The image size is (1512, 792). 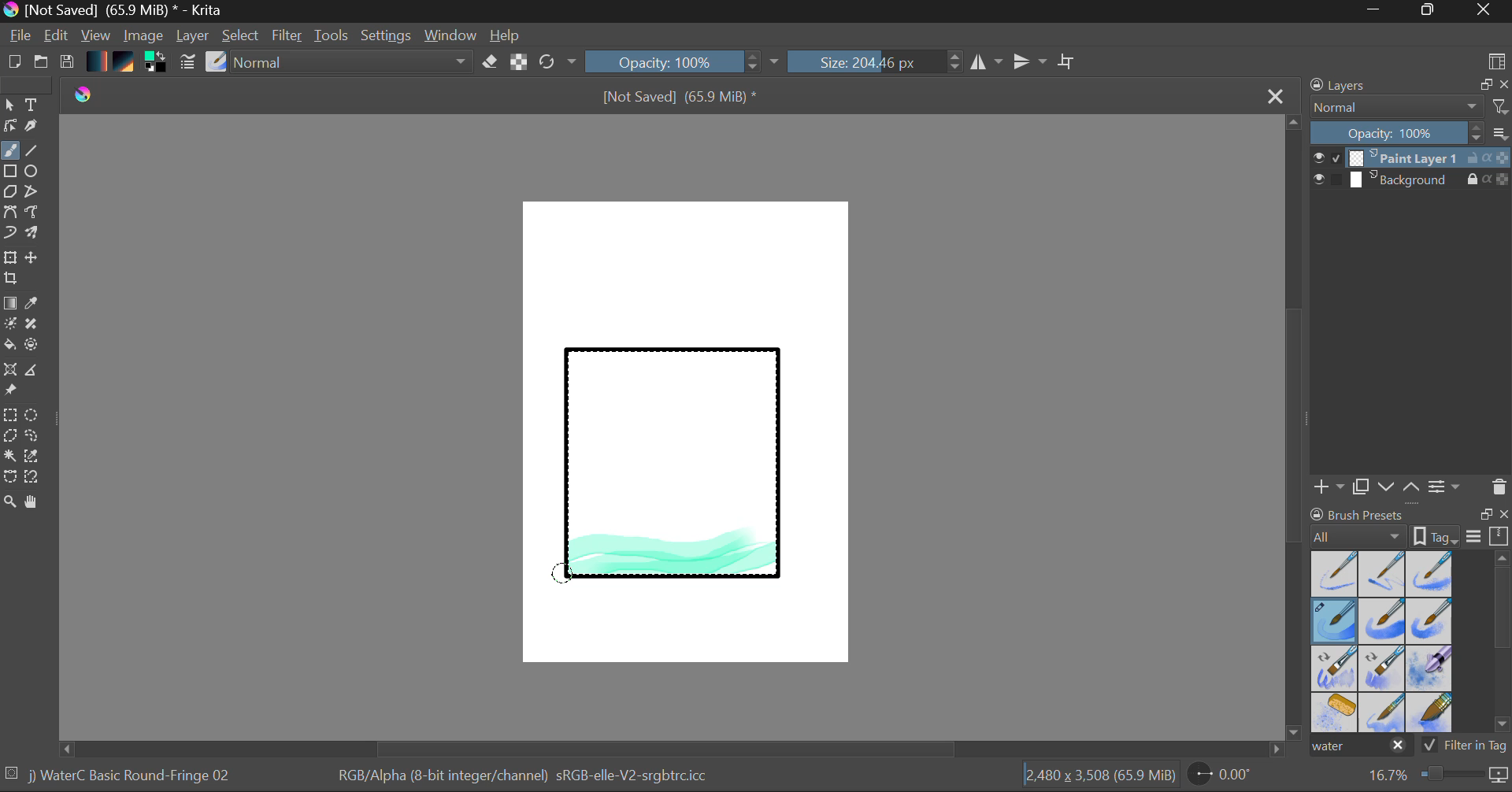 I want to click on Smart Assistant, so click(x=9, y=372).